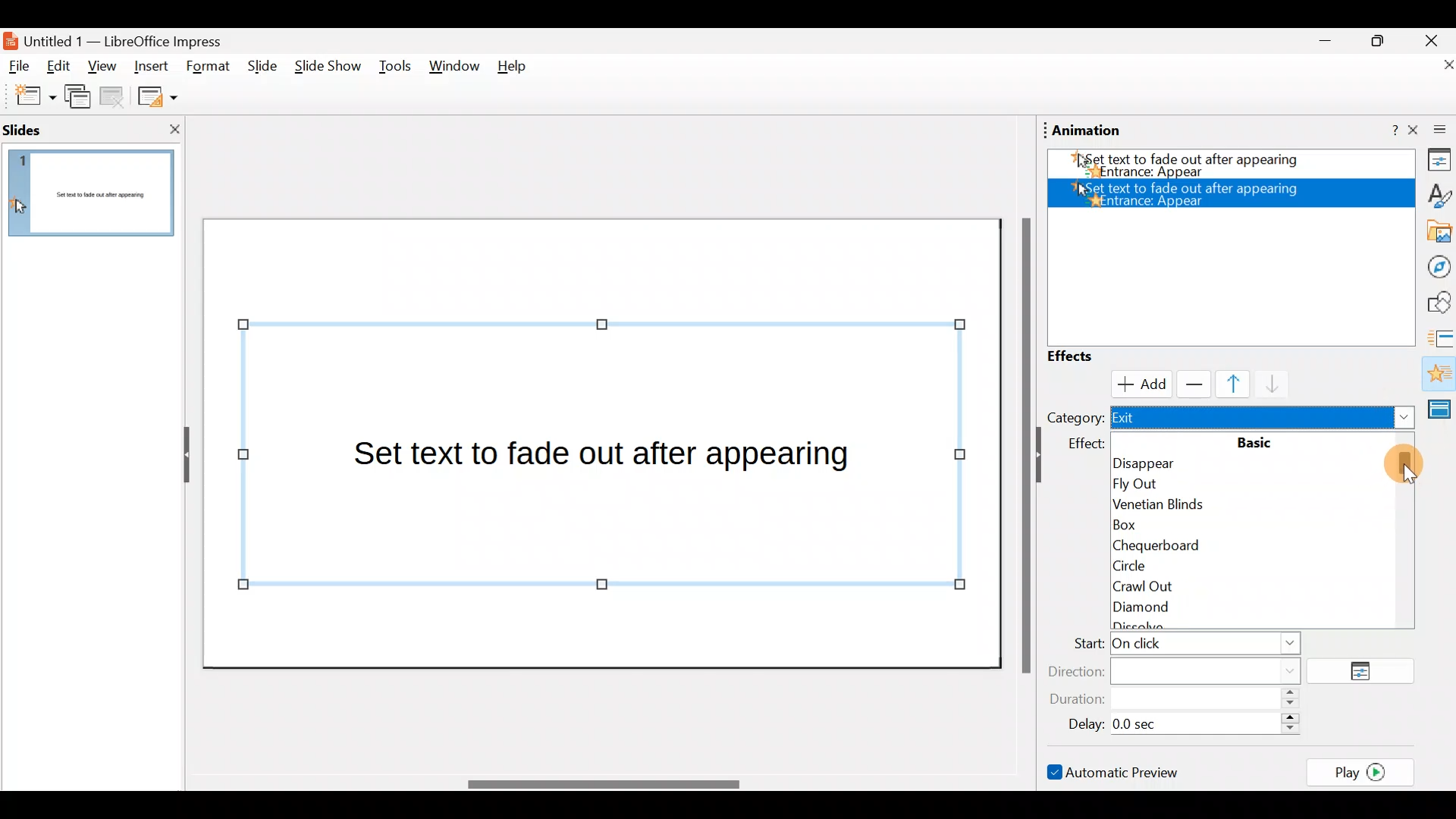  What do you see at coordinates (1266, 385) in the screenshot?
I see `Move down` at bounding box center [1266, 385].